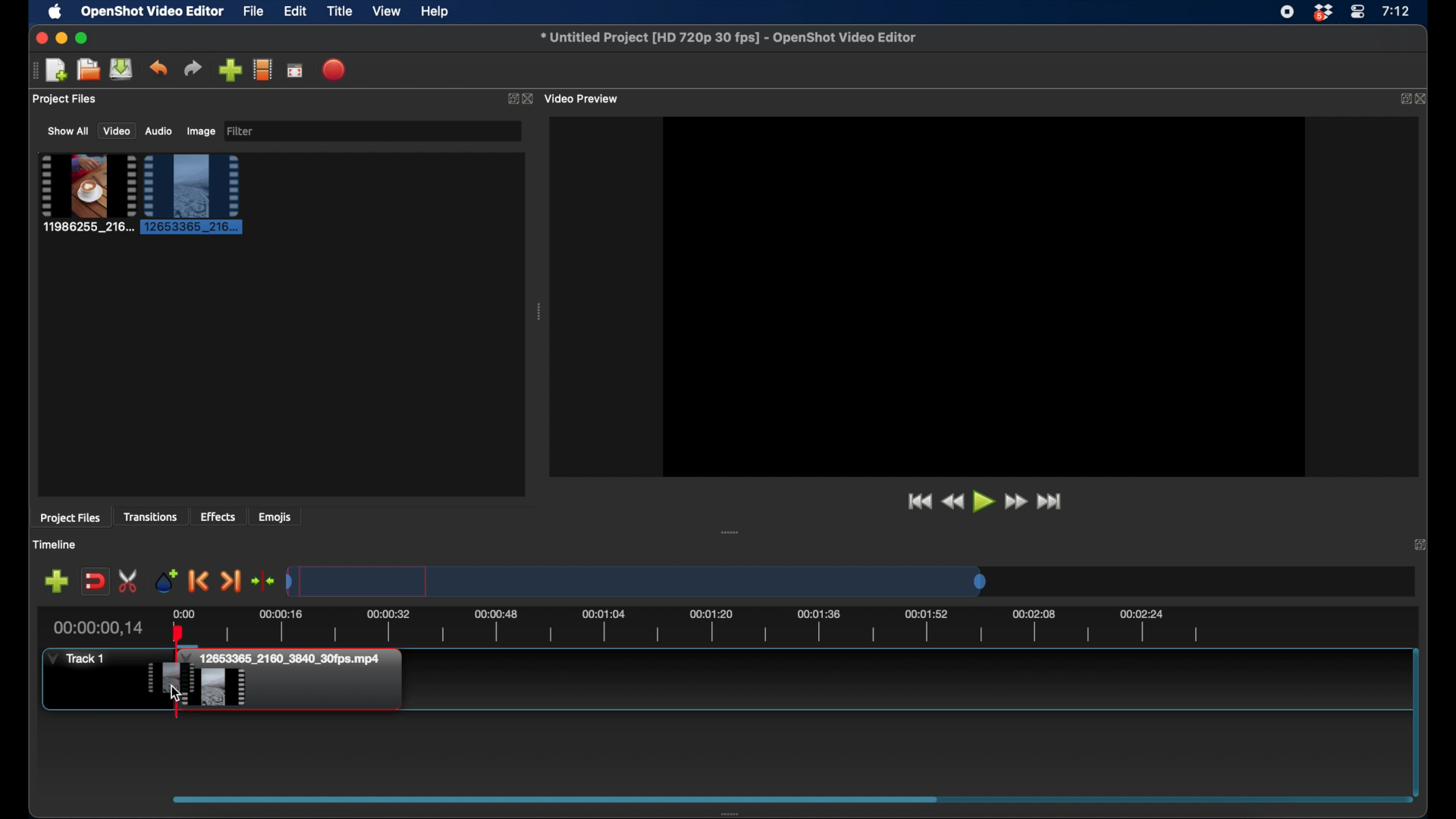 This screenshot has height=819, width=1456. What do you see at coordinates (129, 580) in the screenshot?
I see `enable razor` at bounding box center [129, 580].